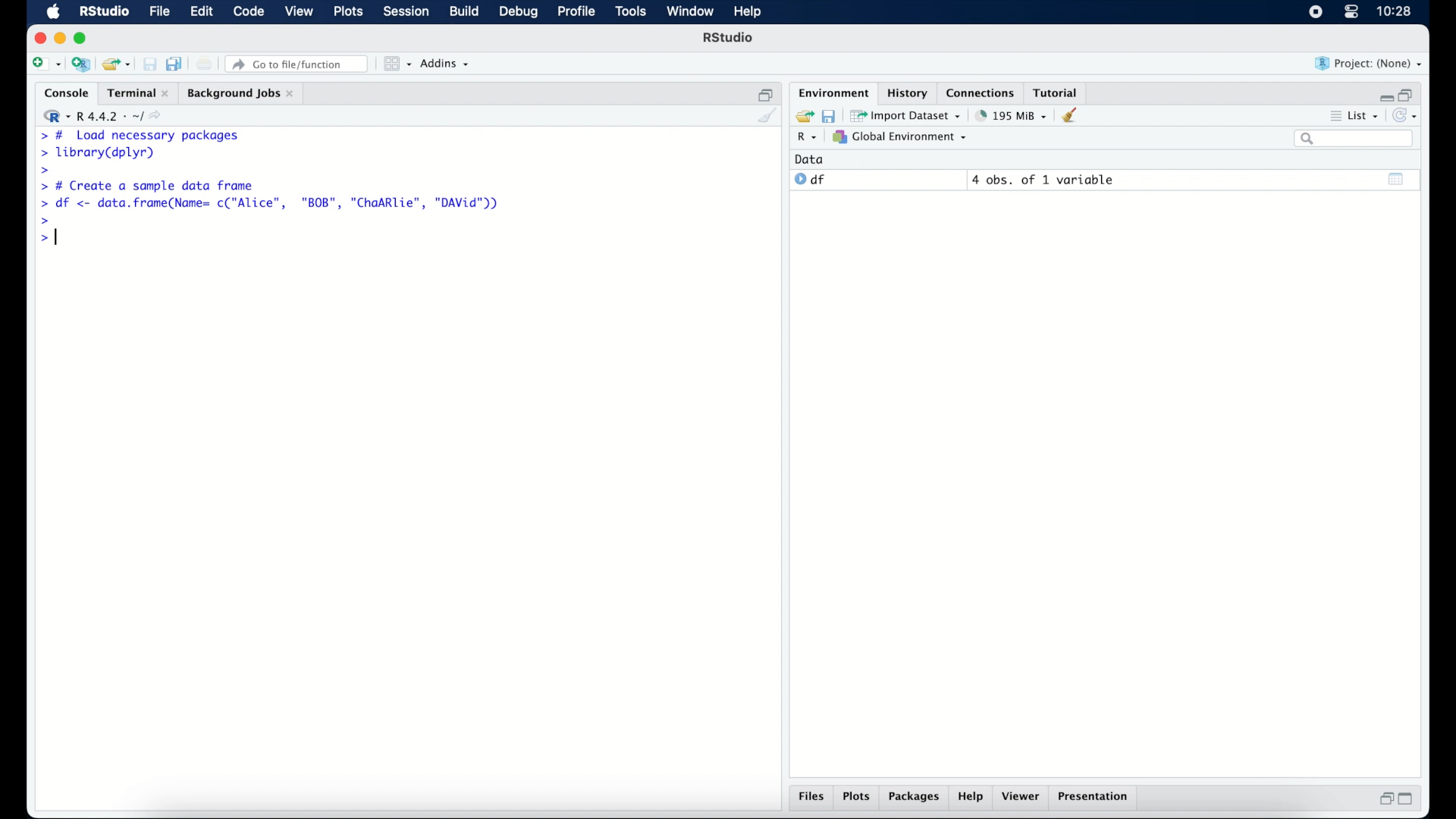 This screenshot has width=1456, height=819. Describe the element at coordinates (576, 12) in the screenshot. I see `profile` at that location.